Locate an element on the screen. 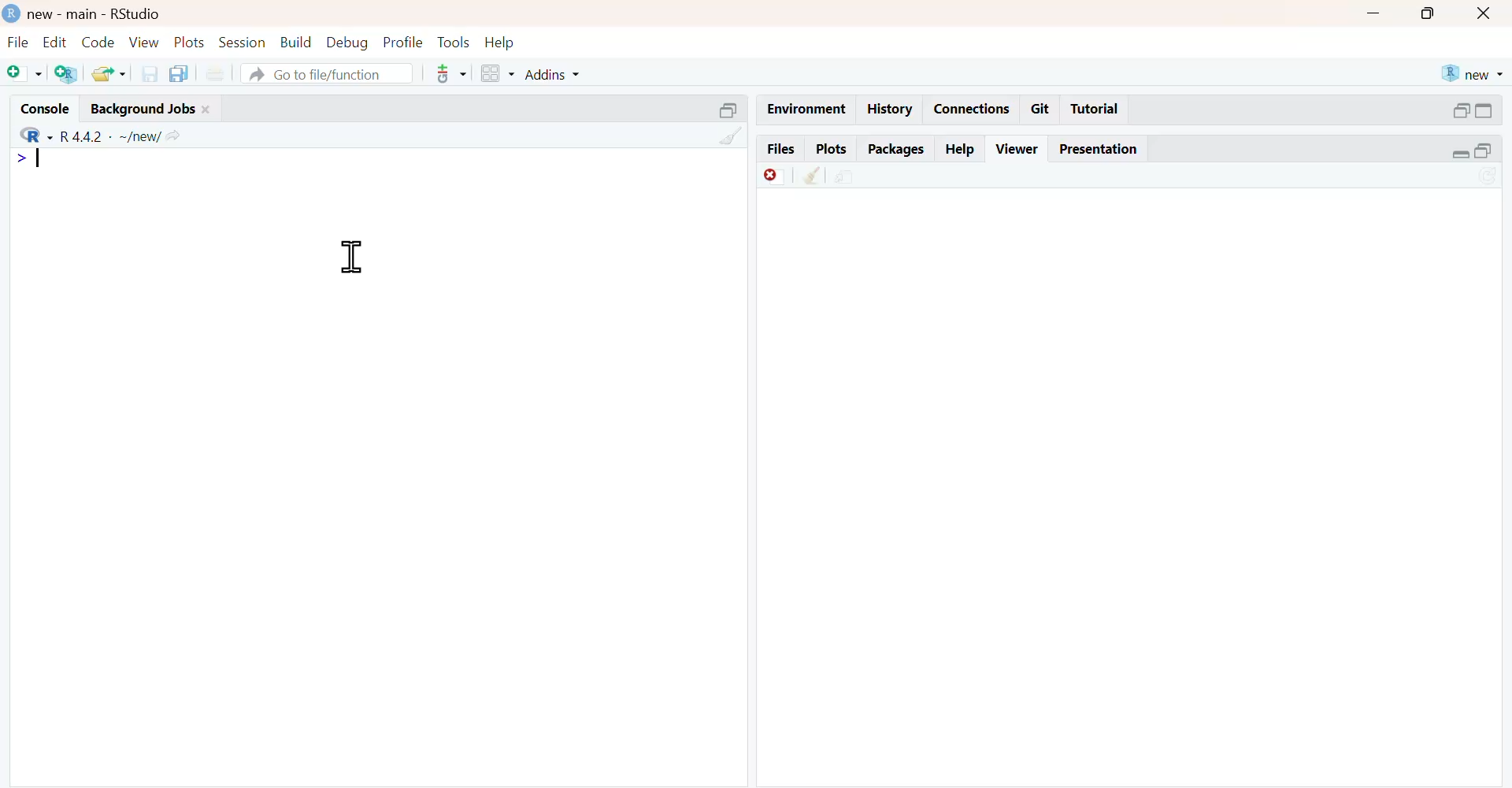  add R file is located at coordinates (69, 74).